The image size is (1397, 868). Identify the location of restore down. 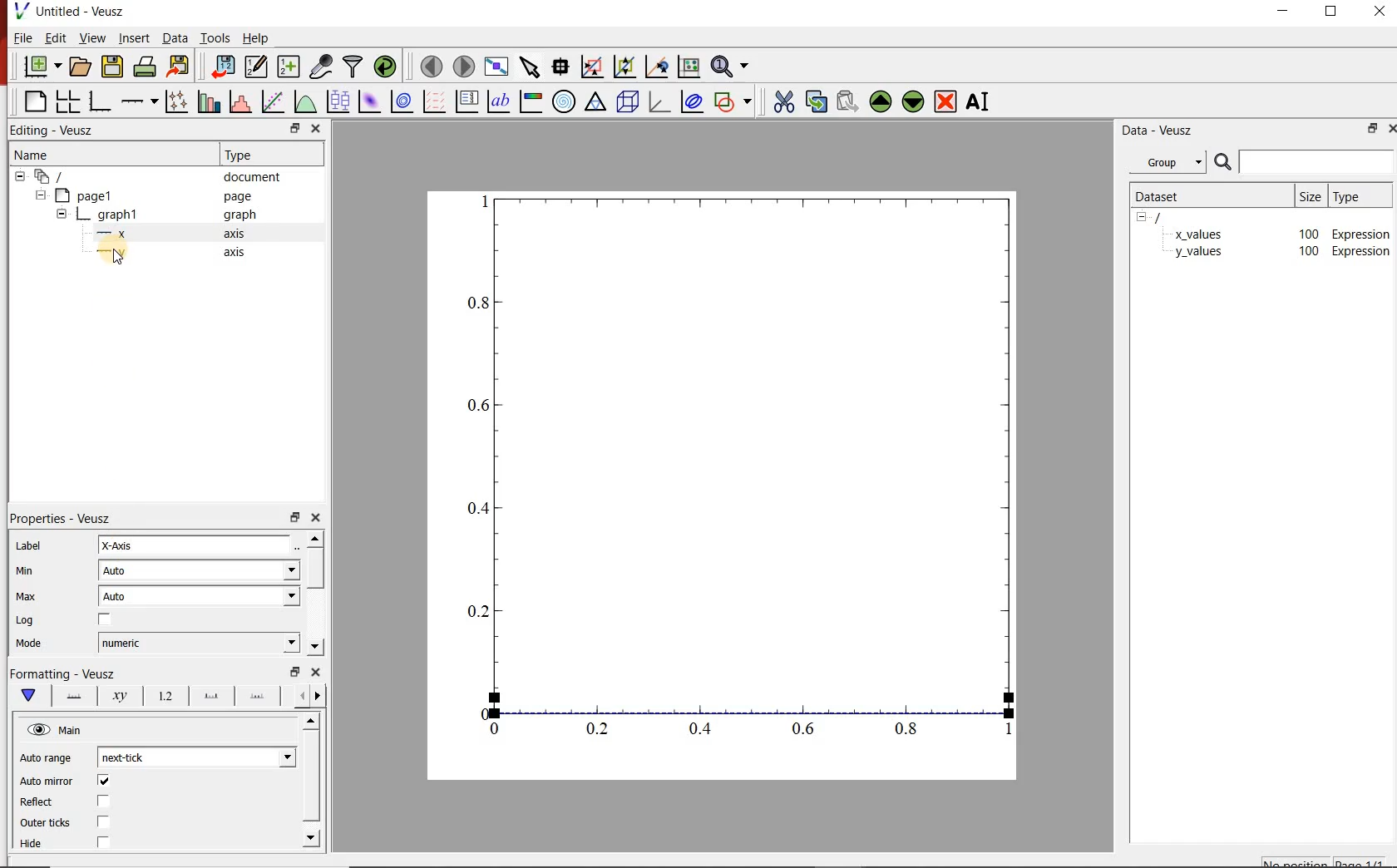
(294, 127).